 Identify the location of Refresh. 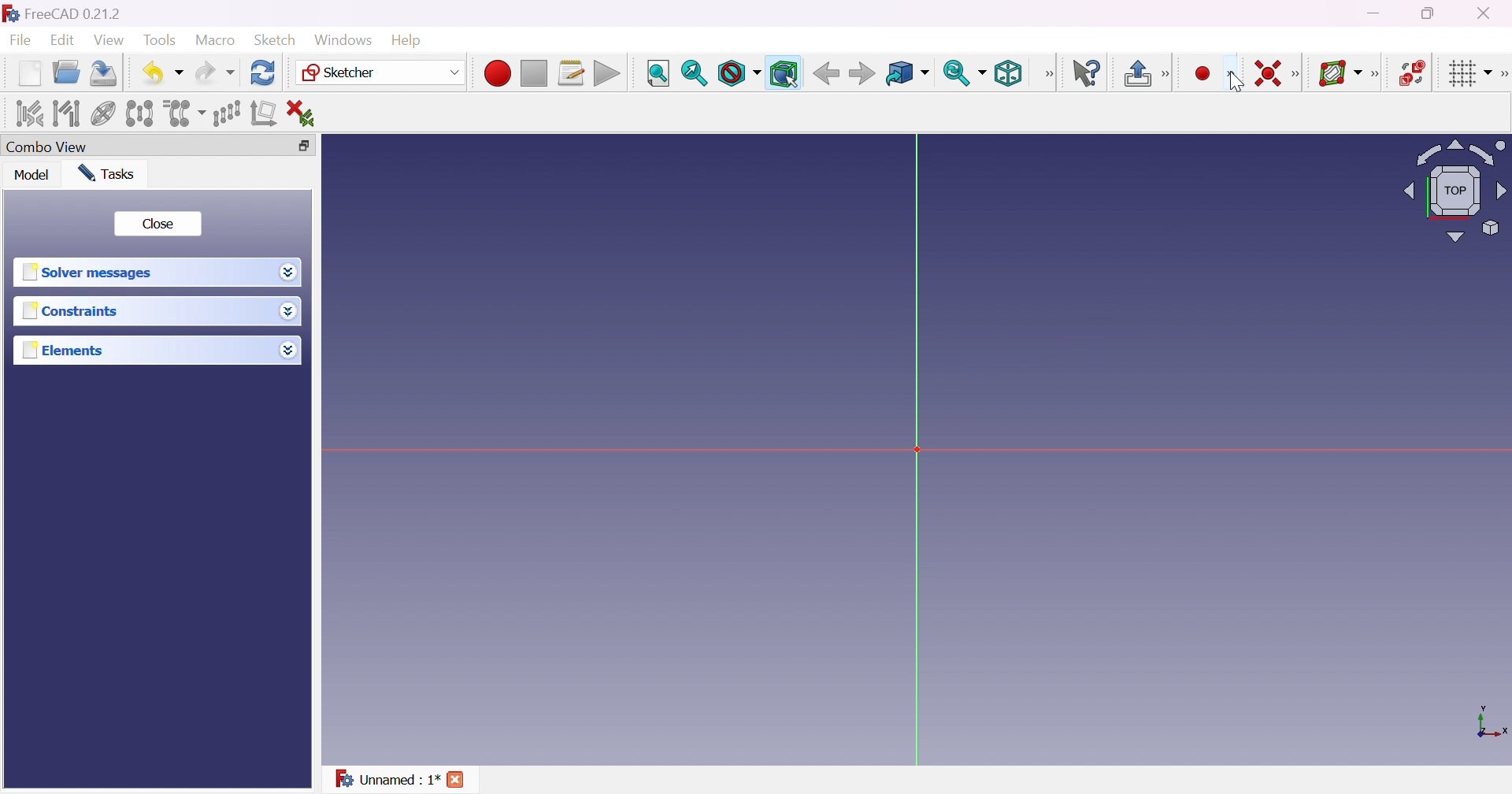
(263, 73).